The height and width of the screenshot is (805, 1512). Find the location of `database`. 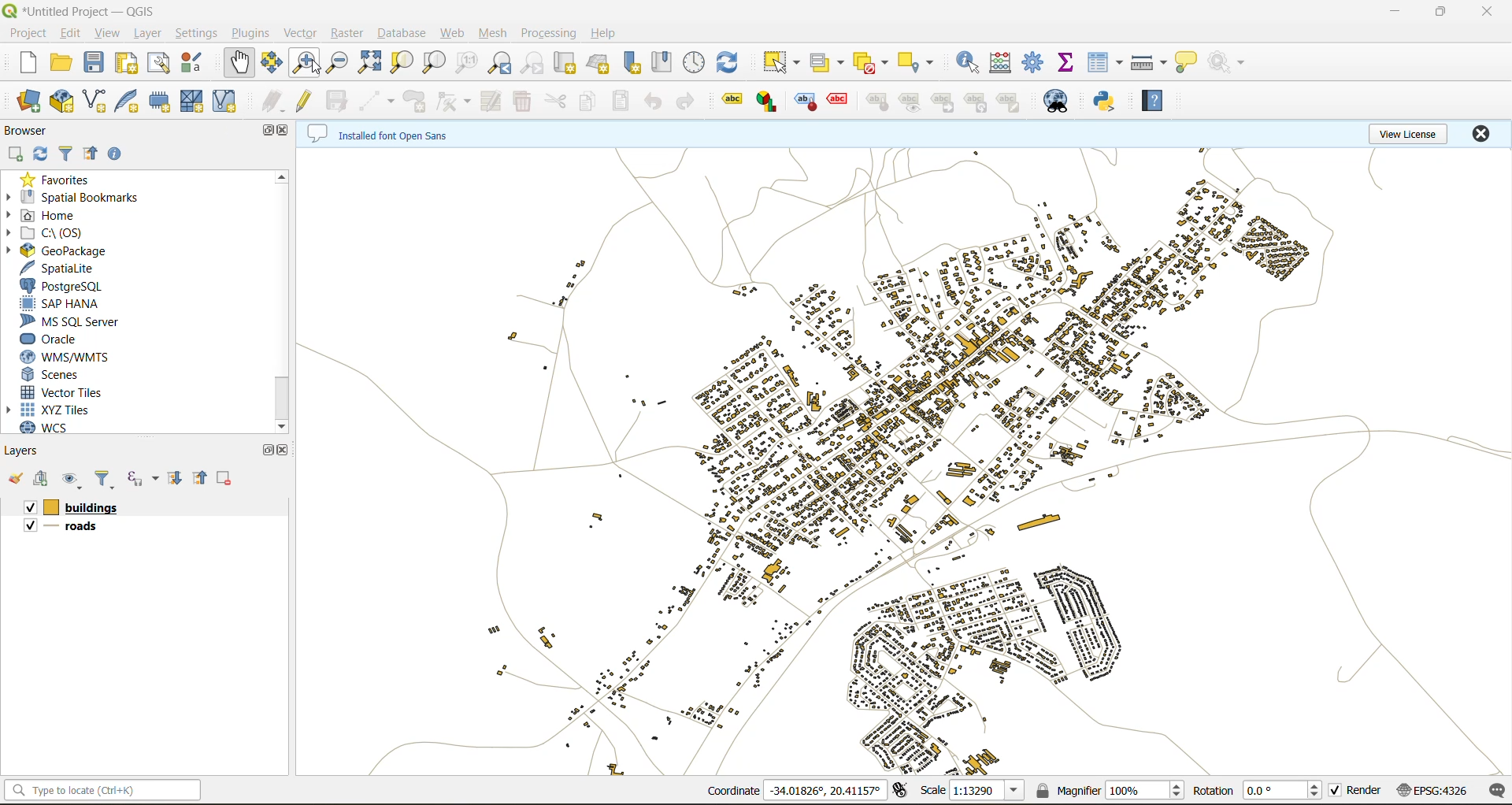

database is located at coordinates (406, 34).